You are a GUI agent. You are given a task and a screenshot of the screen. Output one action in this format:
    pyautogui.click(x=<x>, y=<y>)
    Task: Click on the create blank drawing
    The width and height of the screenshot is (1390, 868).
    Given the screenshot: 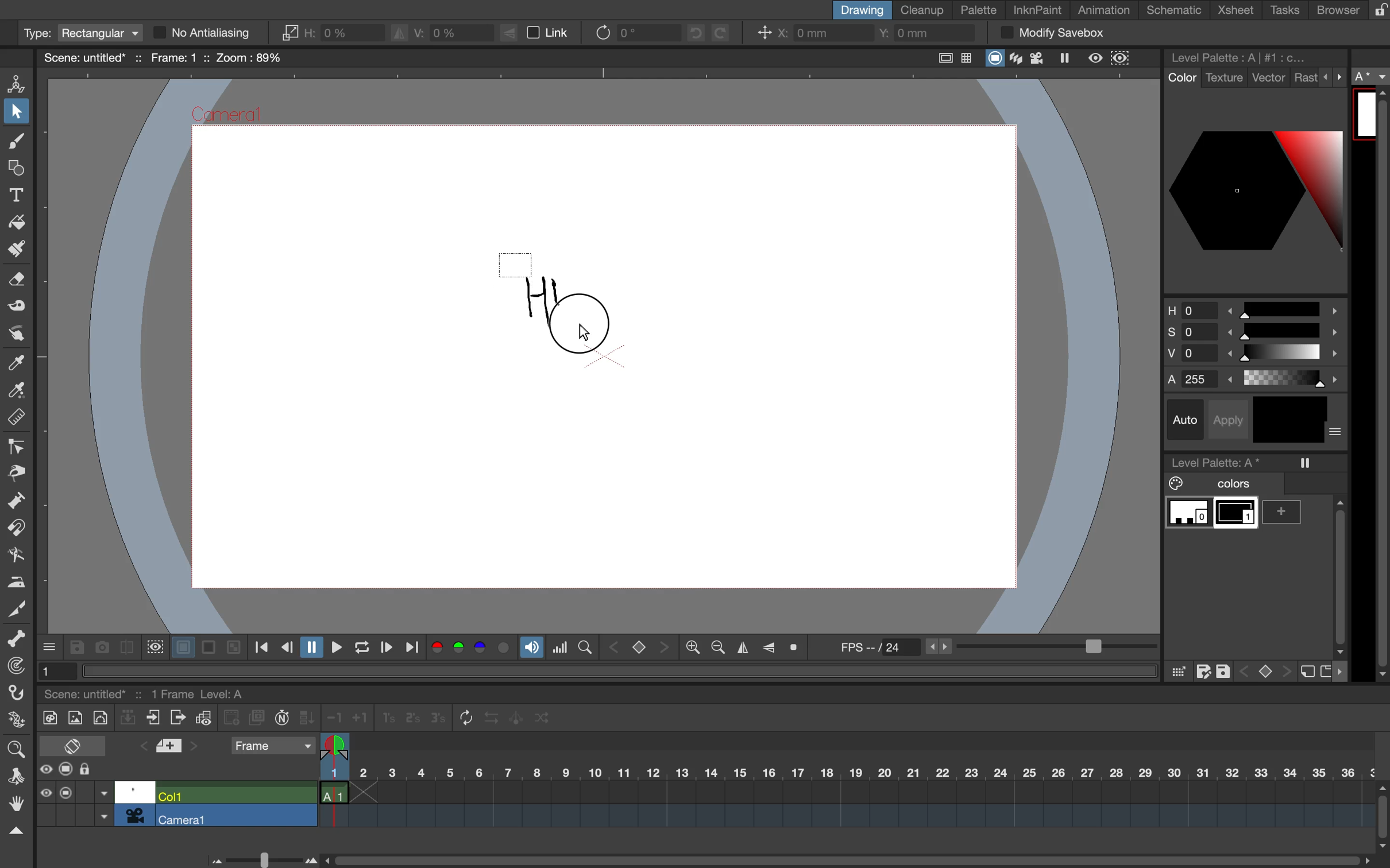 What is the action you would take?
    pyautogui.click(x=233, y=718)
    